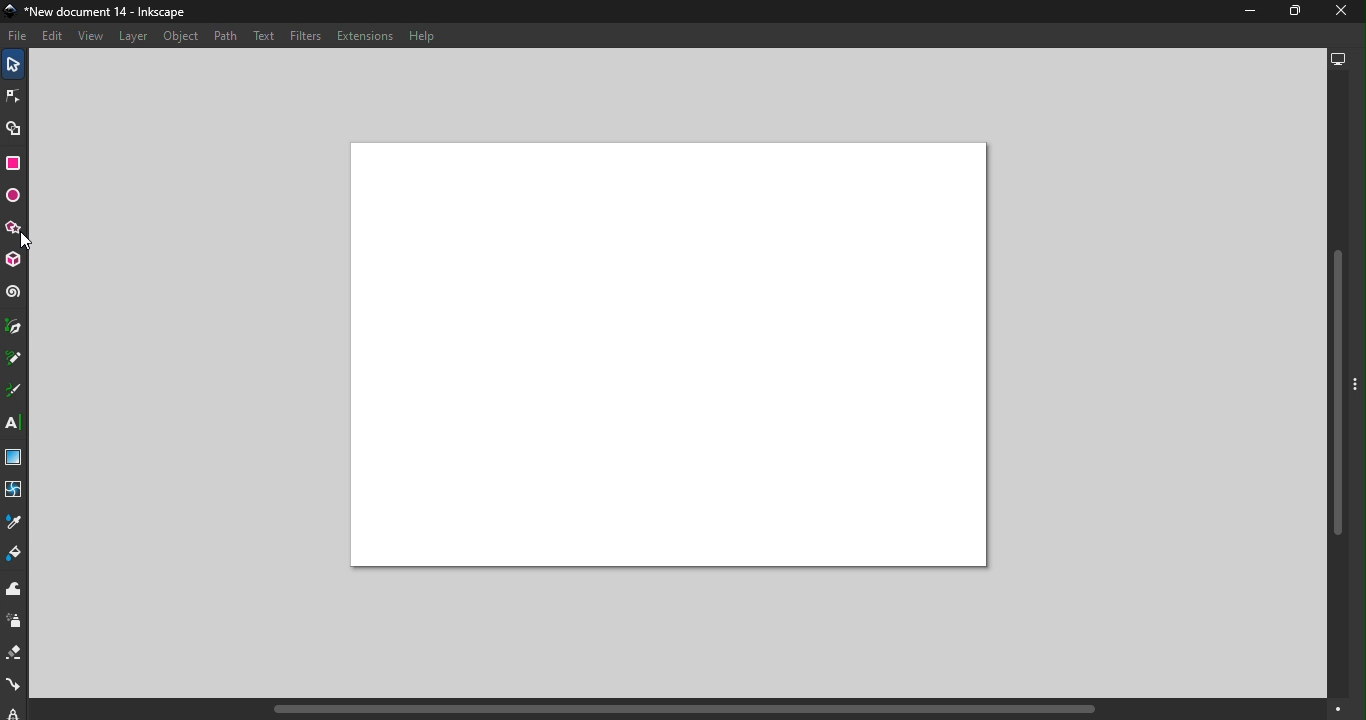  Describe the element at coordinates (263, 35) in the screenshot. I see `Text` at that location.